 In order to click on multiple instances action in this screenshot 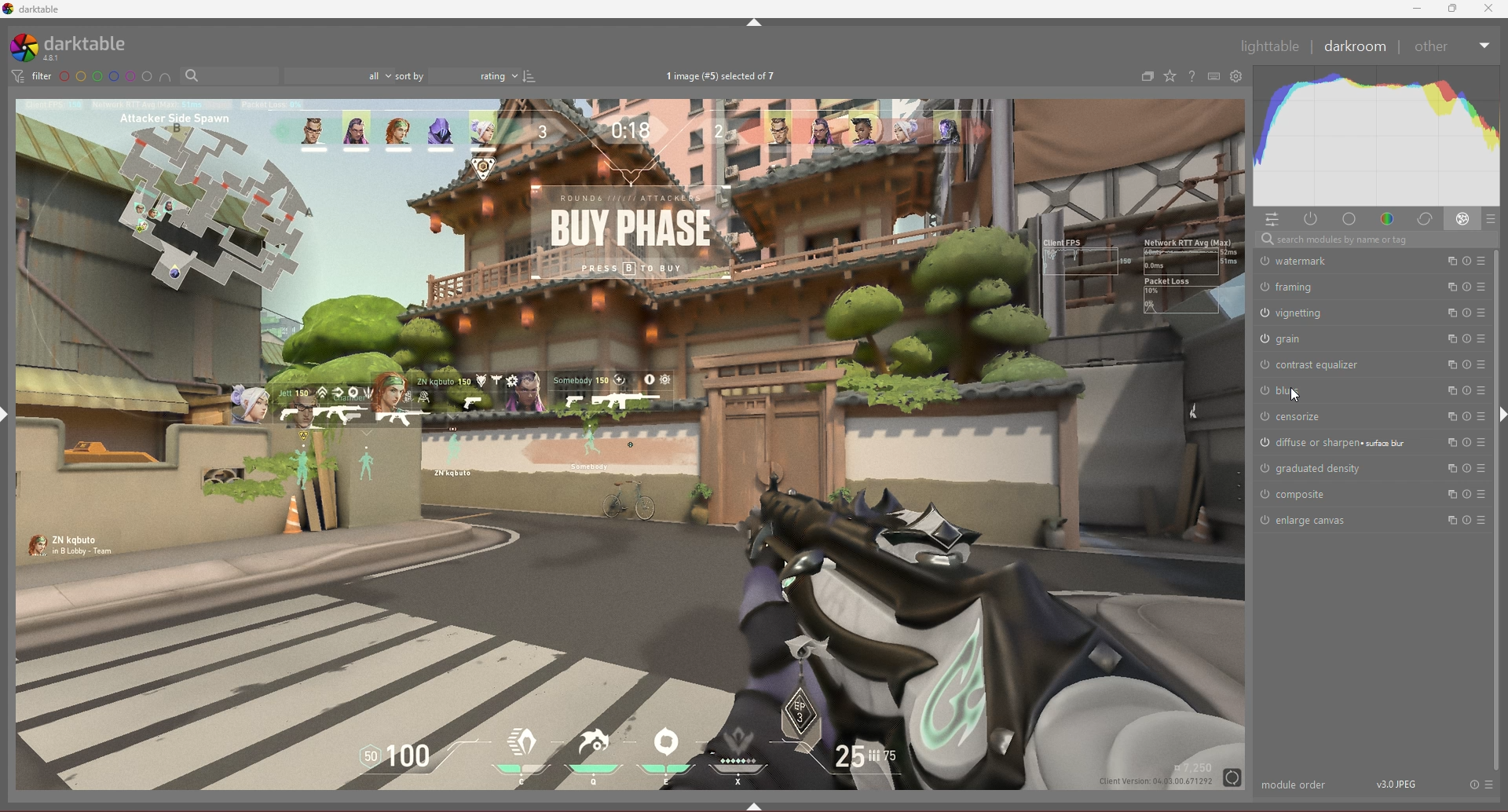, I will do `click(1448, 313)`.